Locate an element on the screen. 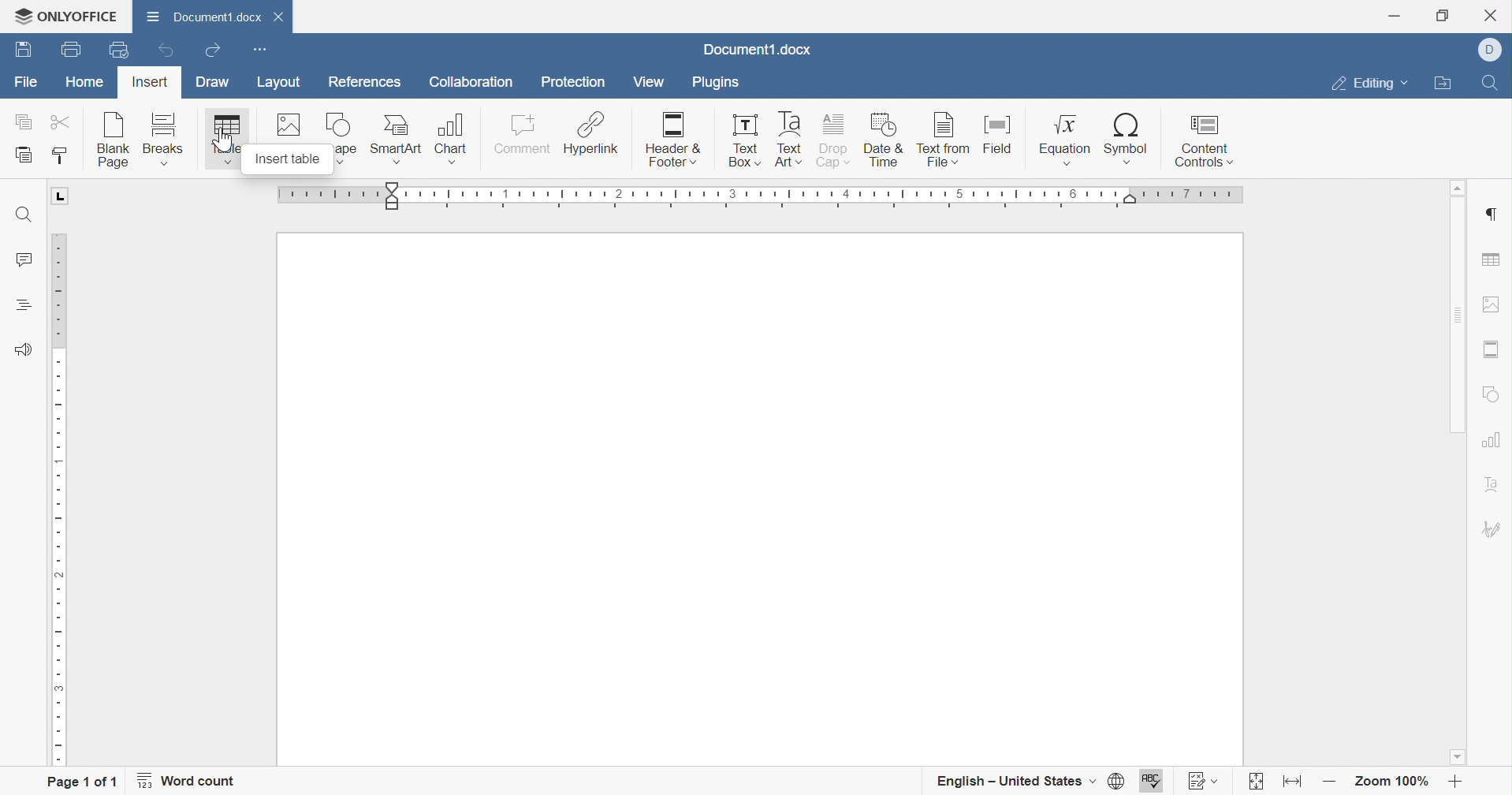 The height and width of the screenshot is (795, 1512). English - United States is located at coordinates (1015, 779).